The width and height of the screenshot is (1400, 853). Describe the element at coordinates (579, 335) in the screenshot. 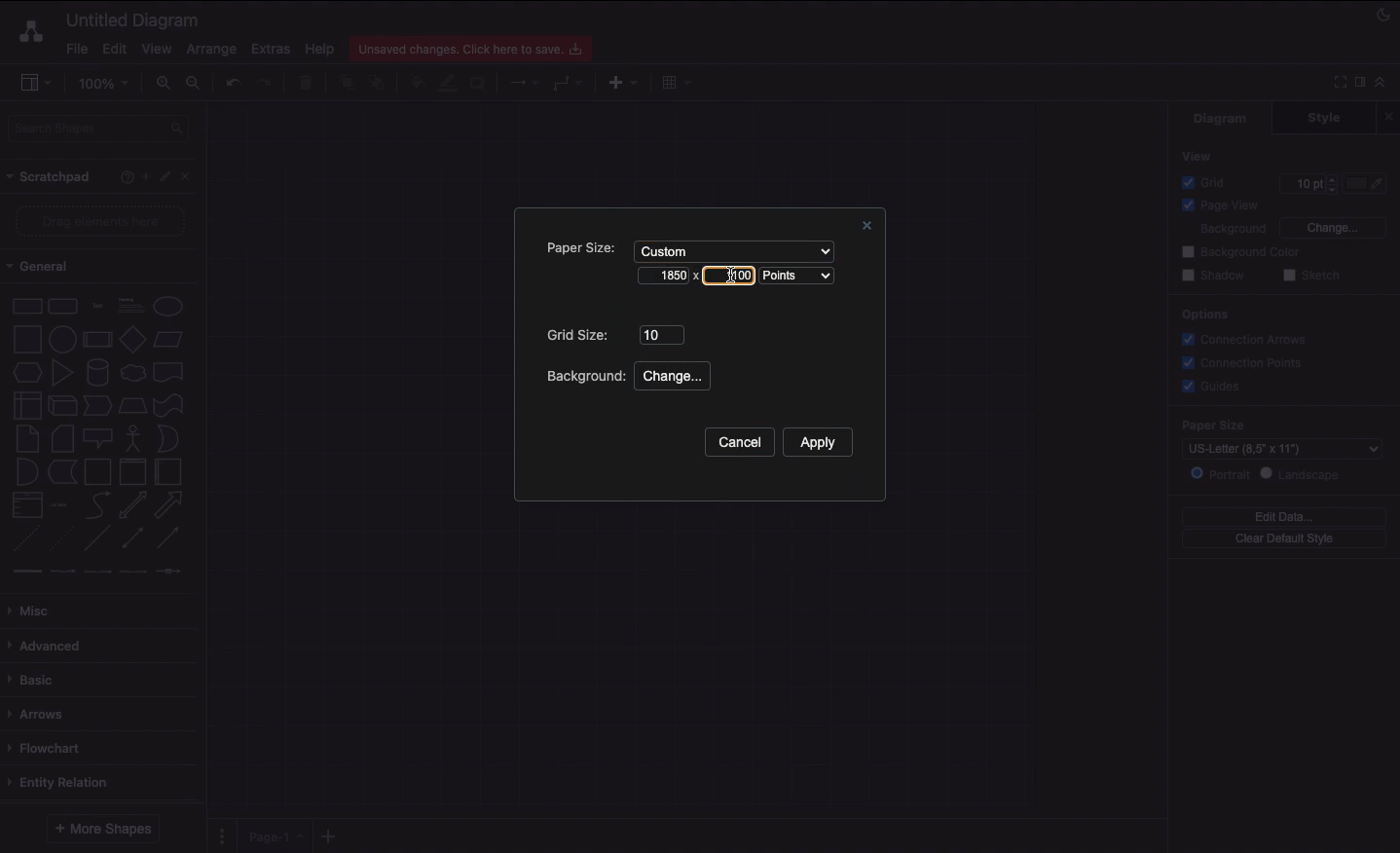

I see `Grid size` at that location.